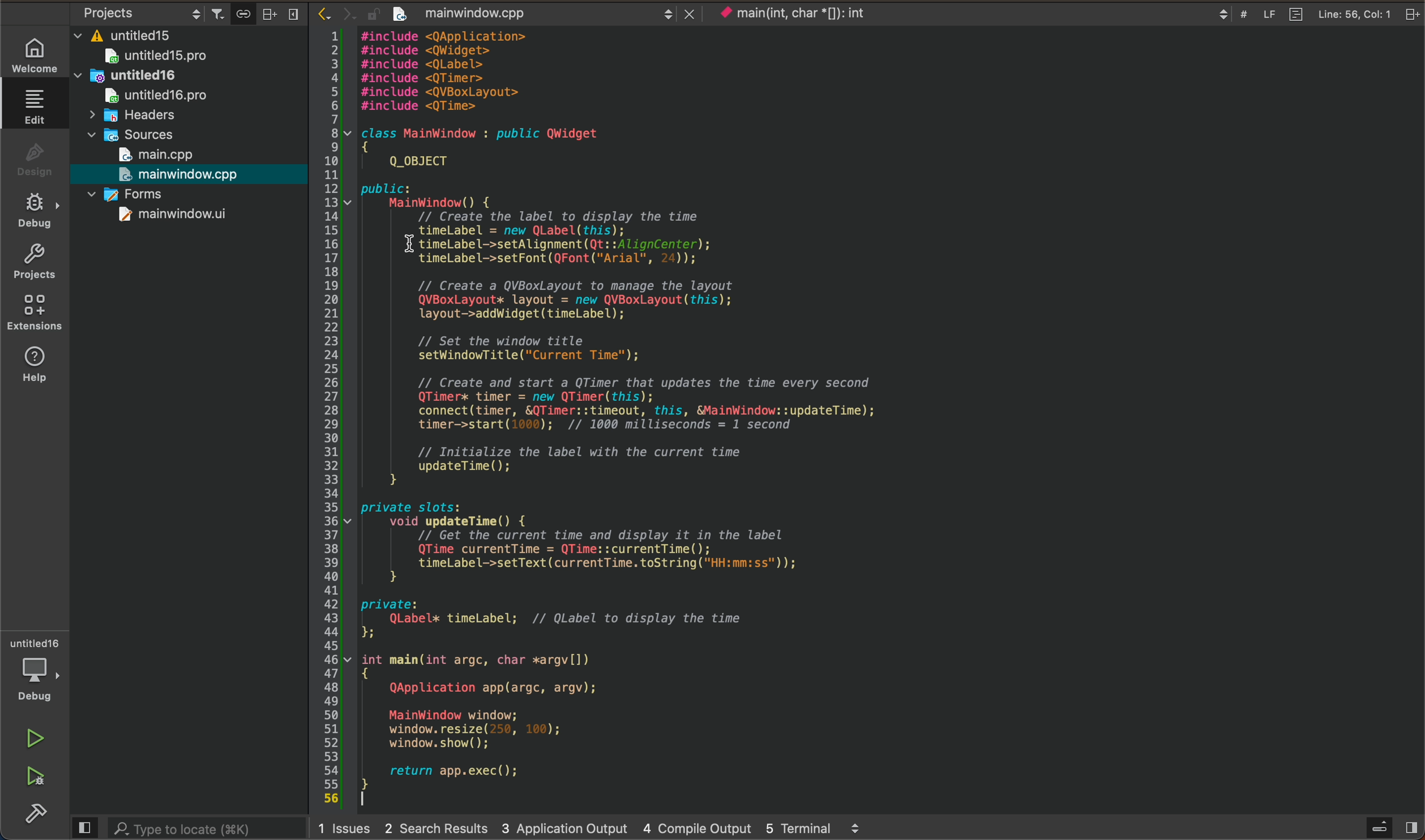 Image resolution: width=1425 pixels, height=840 pixels. What do you see at coordinates (83, 827) in the screenshot?
I see `Preview` at bounding box center [83, 827].